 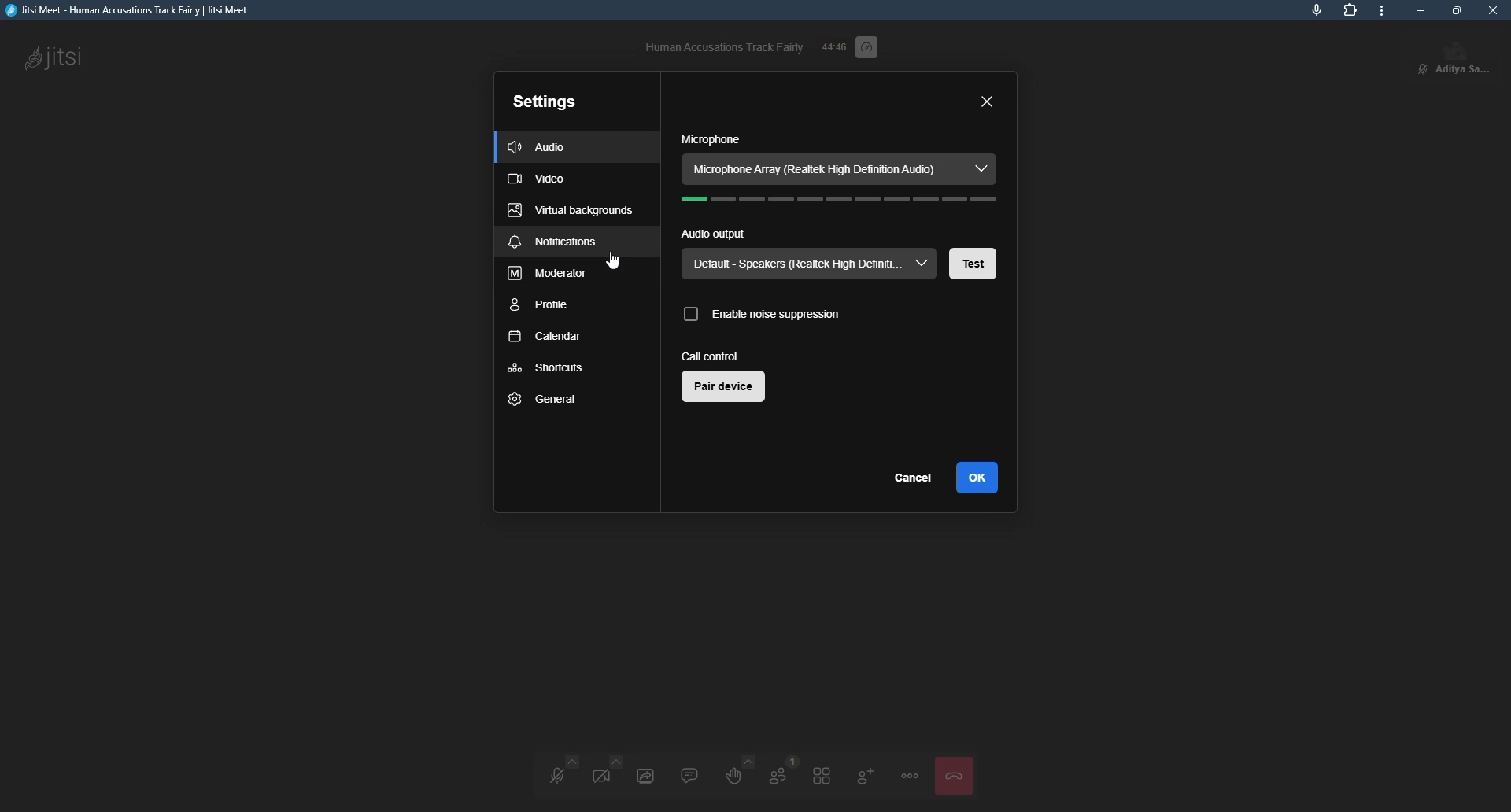 I want to click on general, so click(x=545, y=399).